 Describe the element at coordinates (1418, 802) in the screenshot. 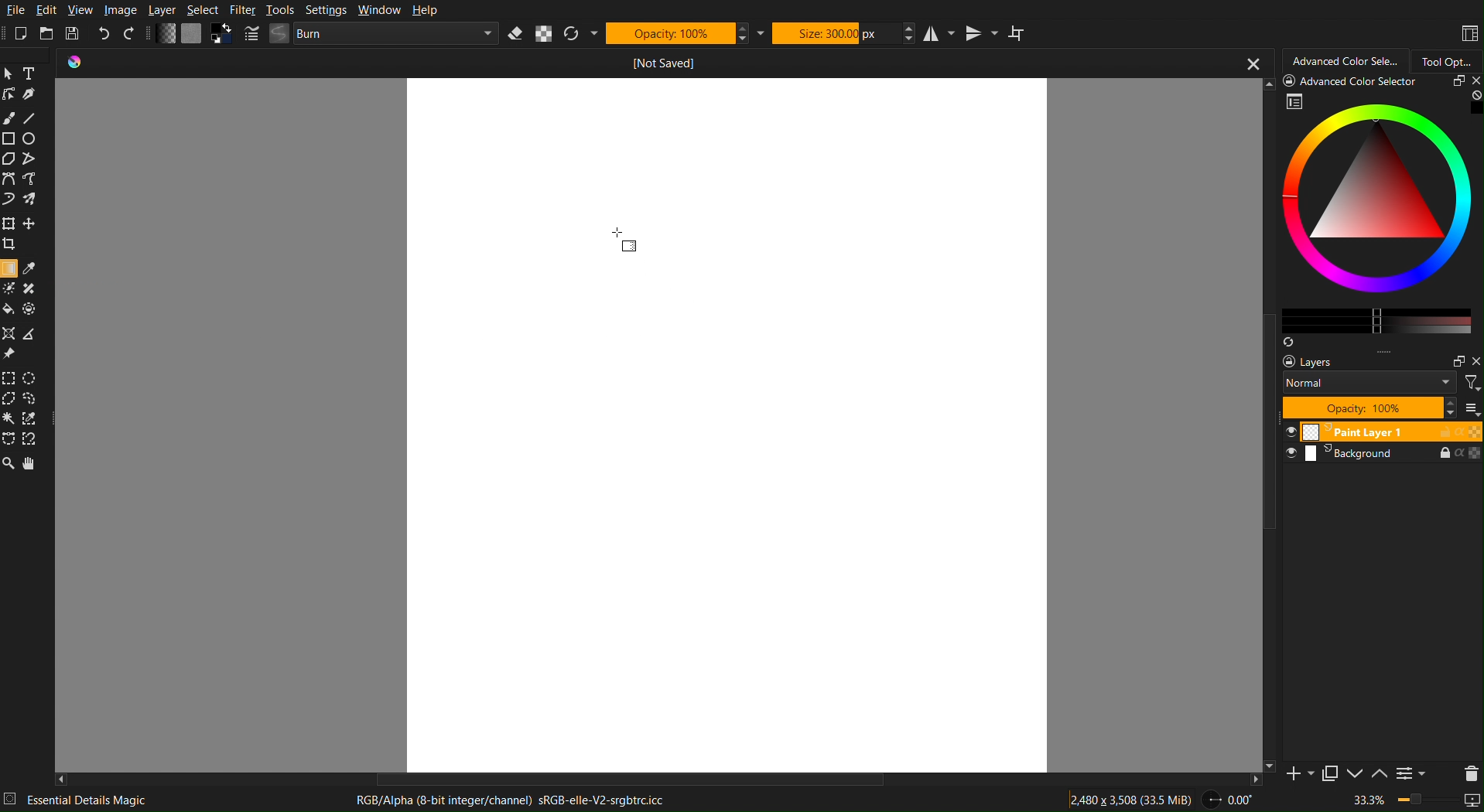

I see `Zoom` at that location.